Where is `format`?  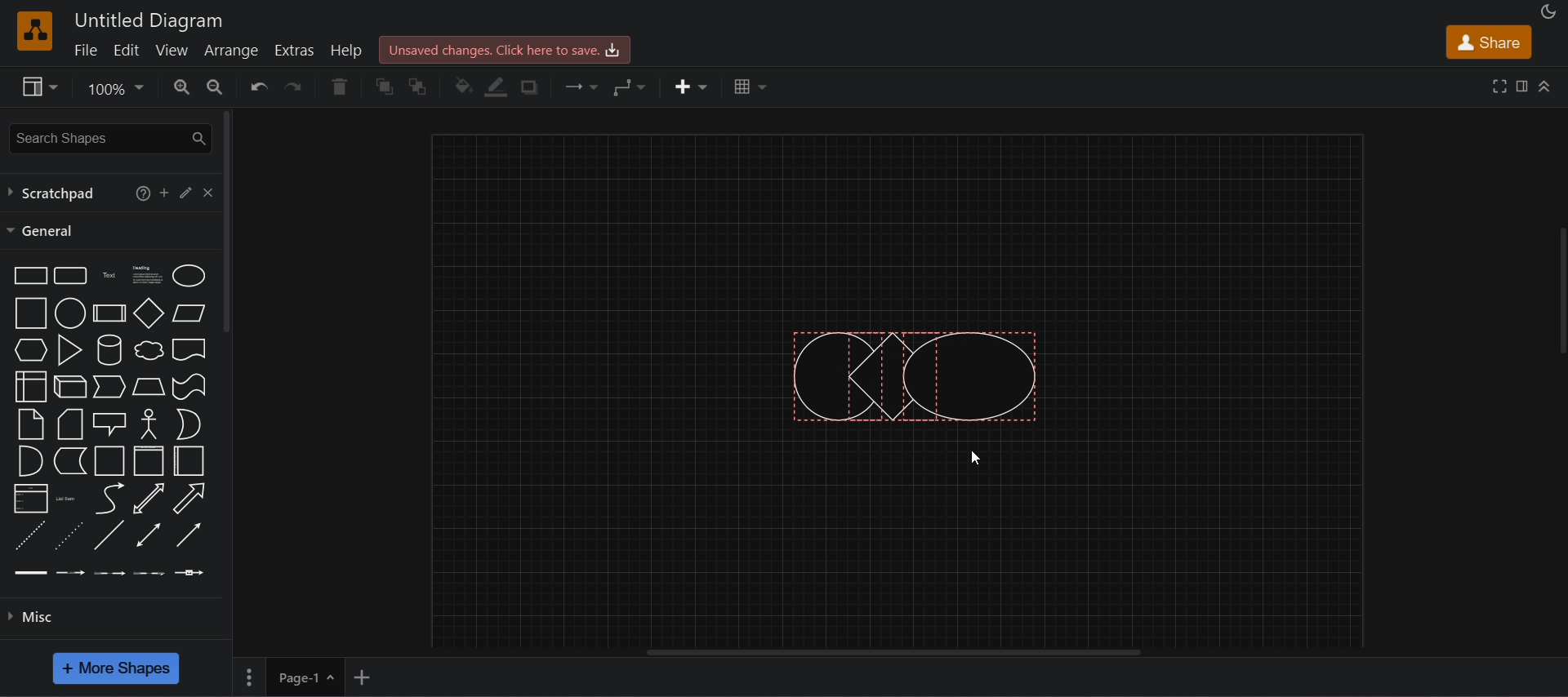
format is located at coordinates (1525, 89).